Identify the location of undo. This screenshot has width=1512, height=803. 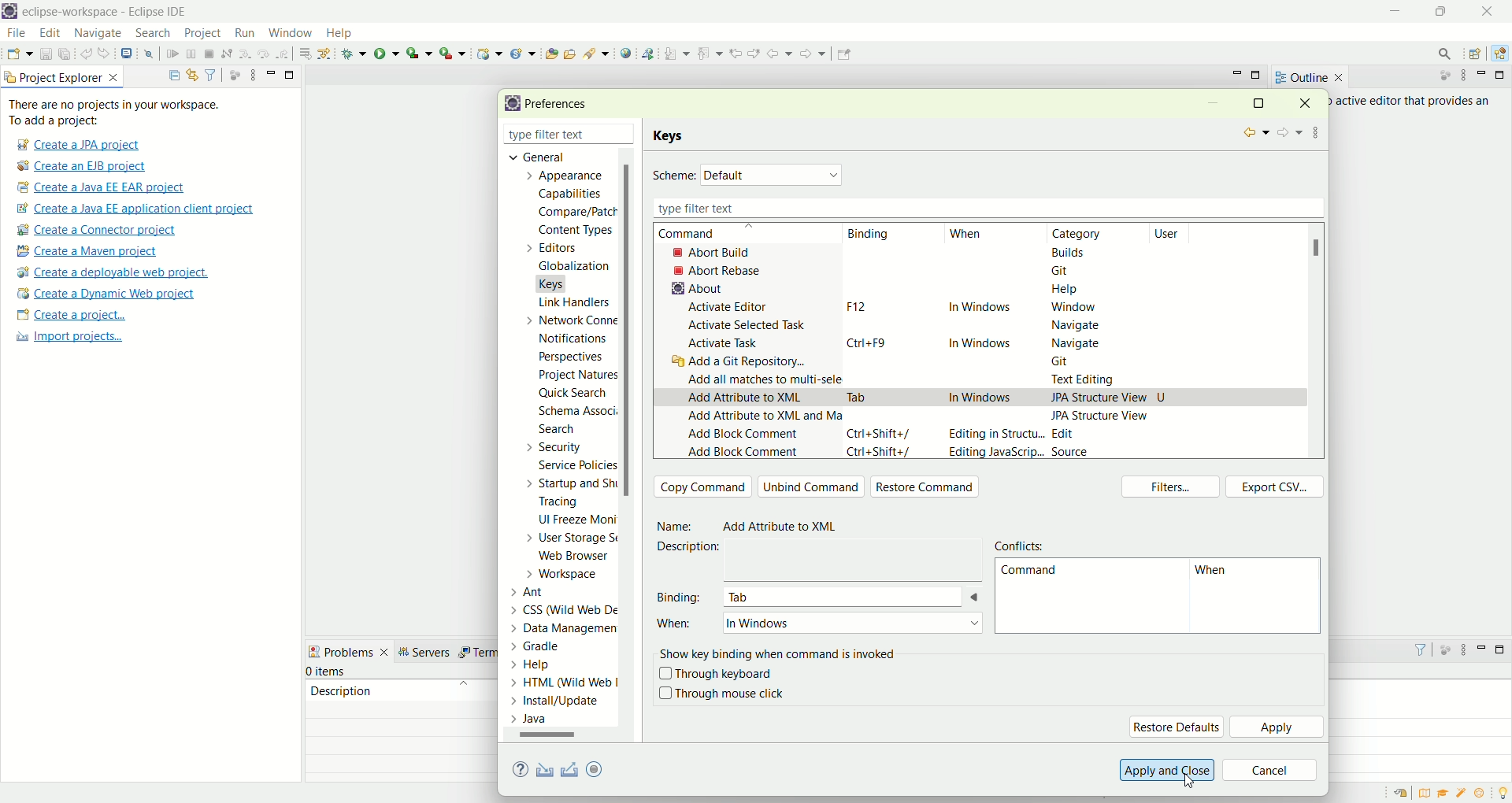
(87, 54).